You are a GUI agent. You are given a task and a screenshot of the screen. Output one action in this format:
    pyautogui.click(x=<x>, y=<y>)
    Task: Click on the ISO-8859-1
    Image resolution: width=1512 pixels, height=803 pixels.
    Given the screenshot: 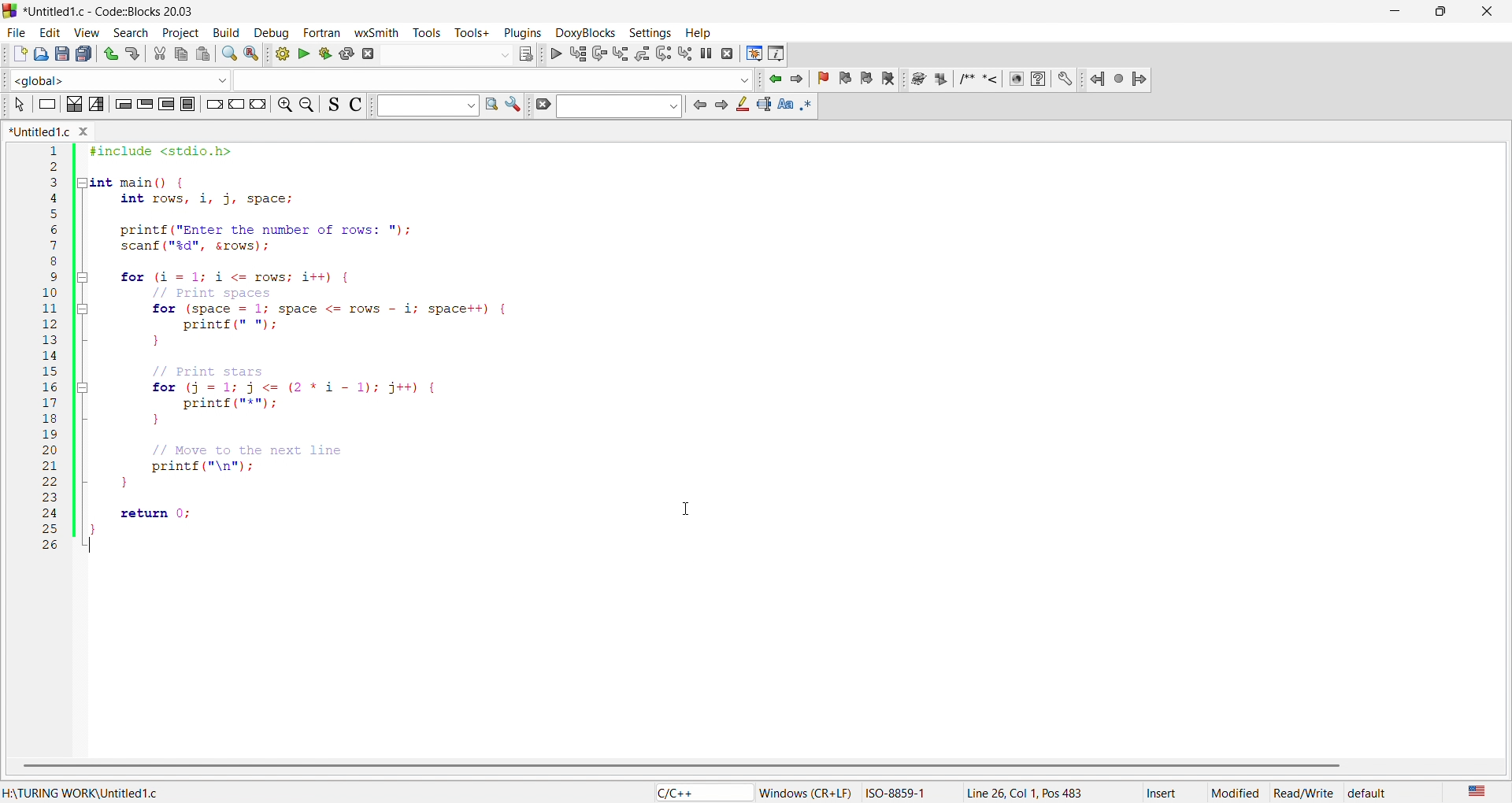 What is the action you would take?
    pyautogui.click(x=906, y=791)
    